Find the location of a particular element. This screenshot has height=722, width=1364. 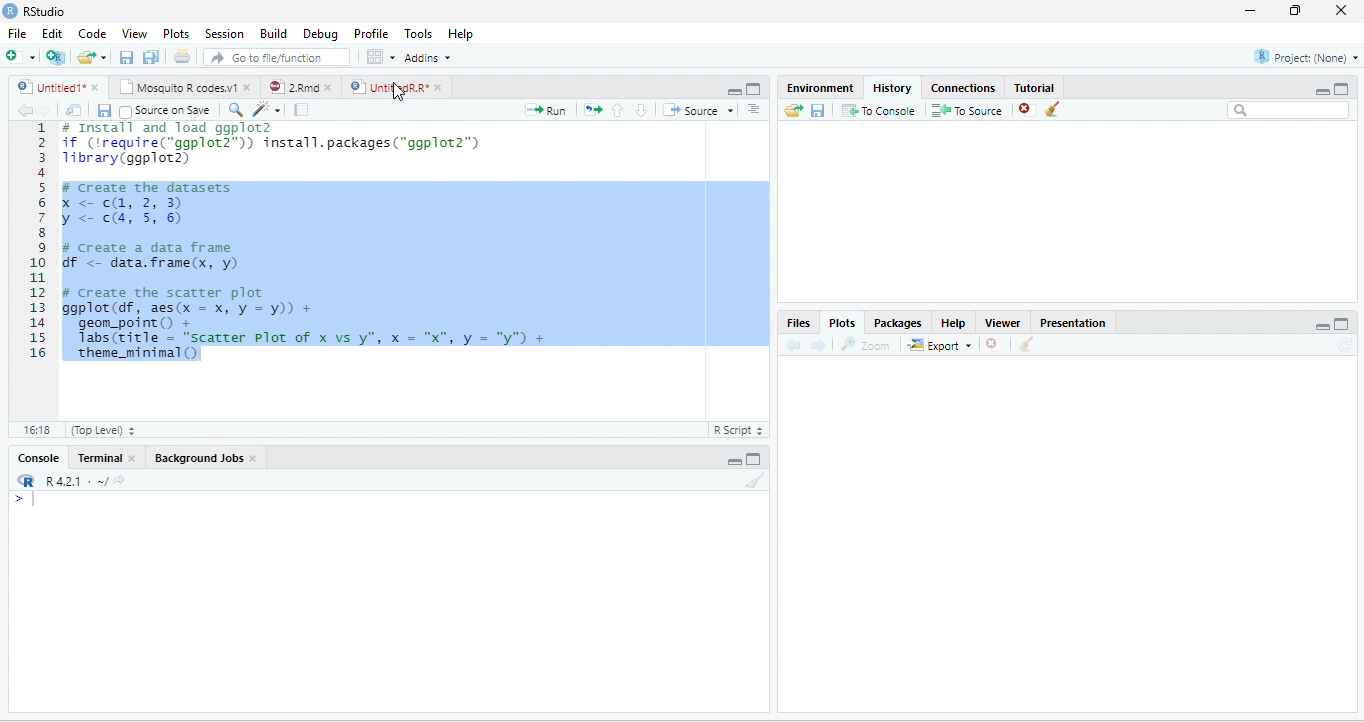

Go to previous section/chunk is located at coordinates (618, 110).